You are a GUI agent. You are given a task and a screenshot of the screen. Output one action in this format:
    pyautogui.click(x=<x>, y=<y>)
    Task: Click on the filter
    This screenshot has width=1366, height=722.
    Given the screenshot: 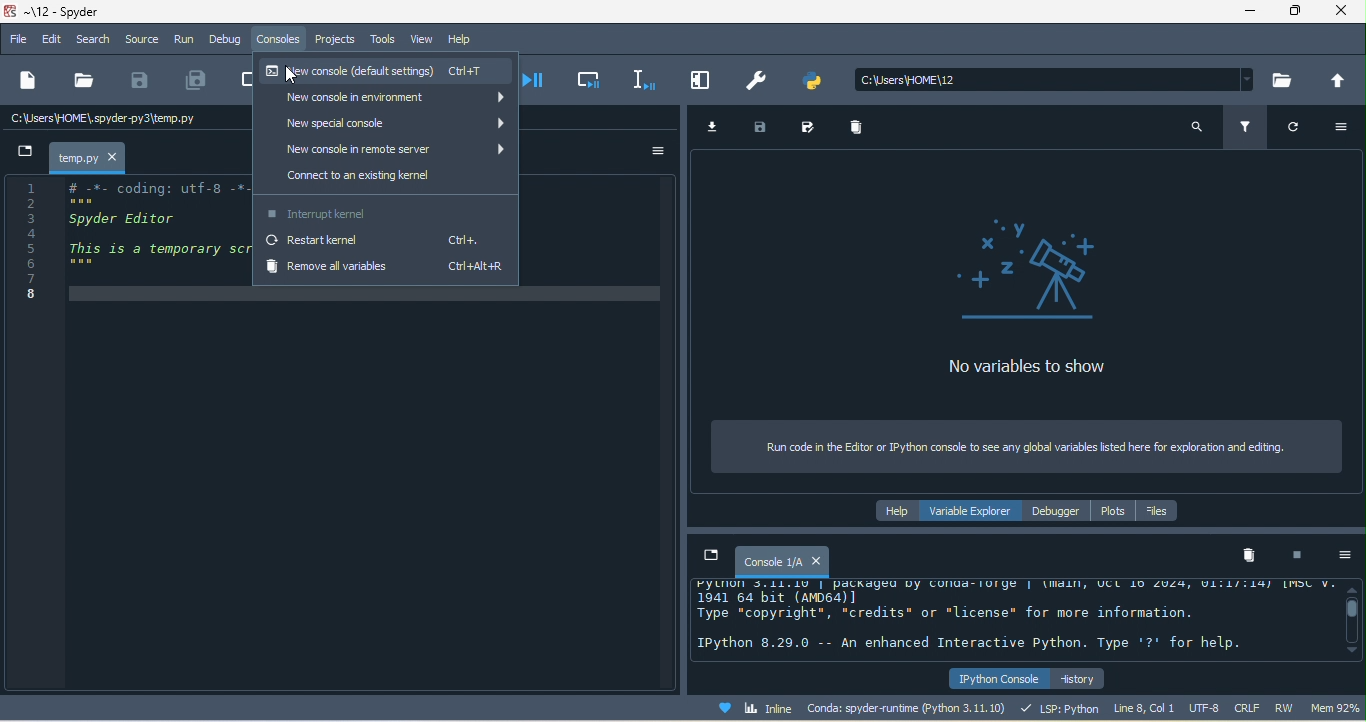 What is the action you would take?
    pyautogui.click(x=1244, y=126)
    